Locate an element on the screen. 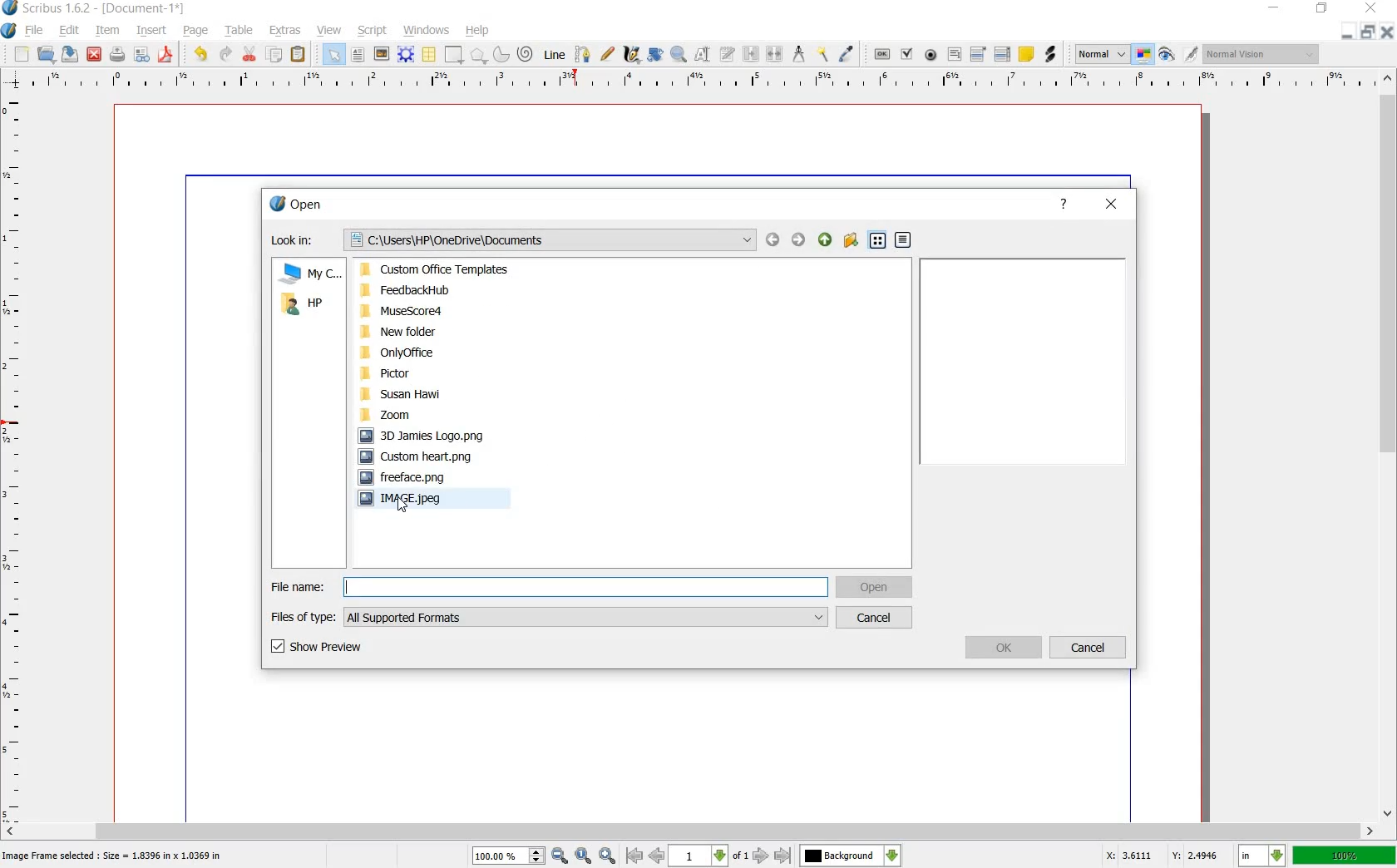 The width and height of the screenshot is (1397, 868). CANCEL is located at coordinates (1087, 648).